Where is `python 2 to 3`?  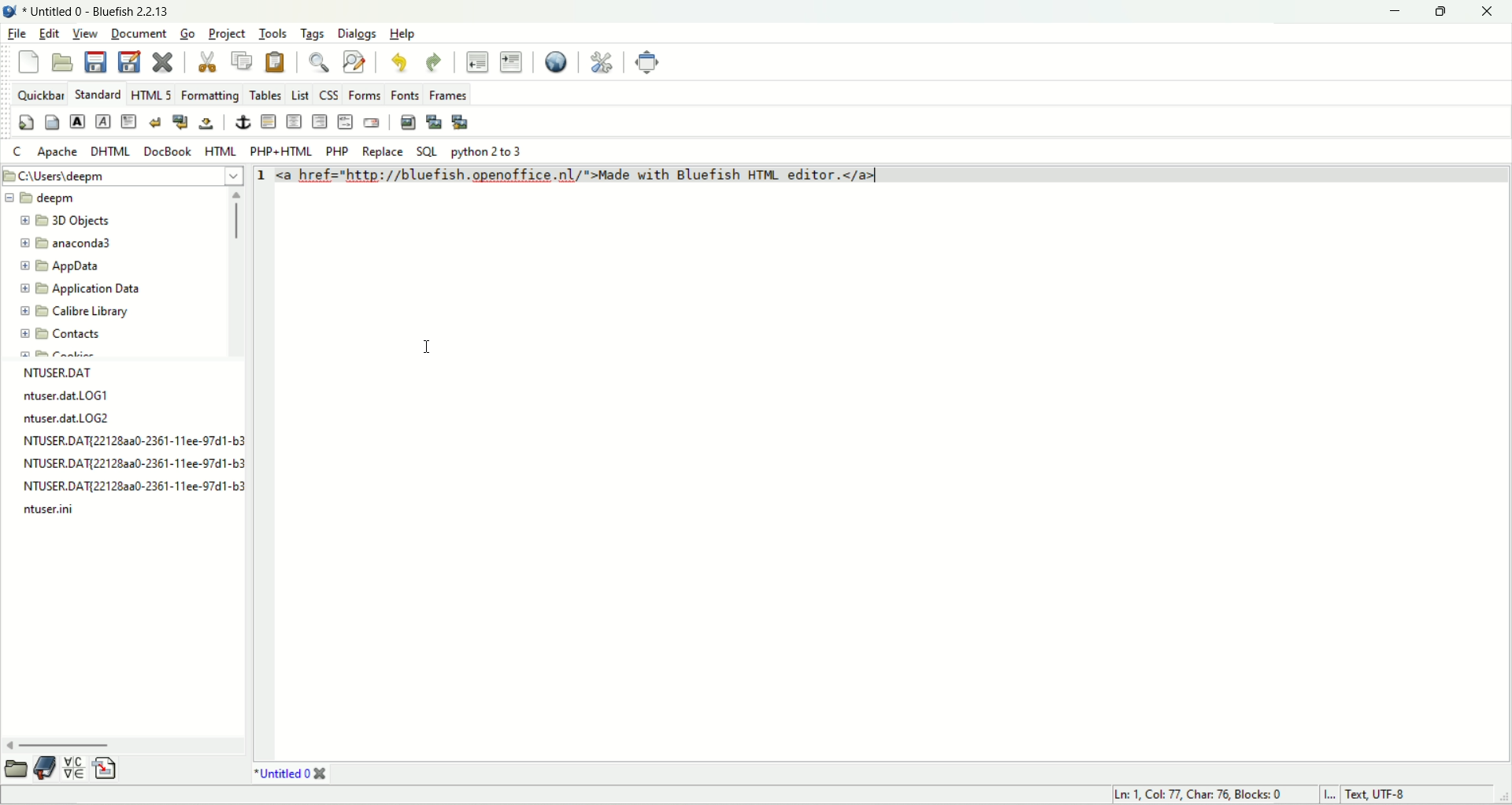
python 2 to 3 is located at coordinates (494, 152).